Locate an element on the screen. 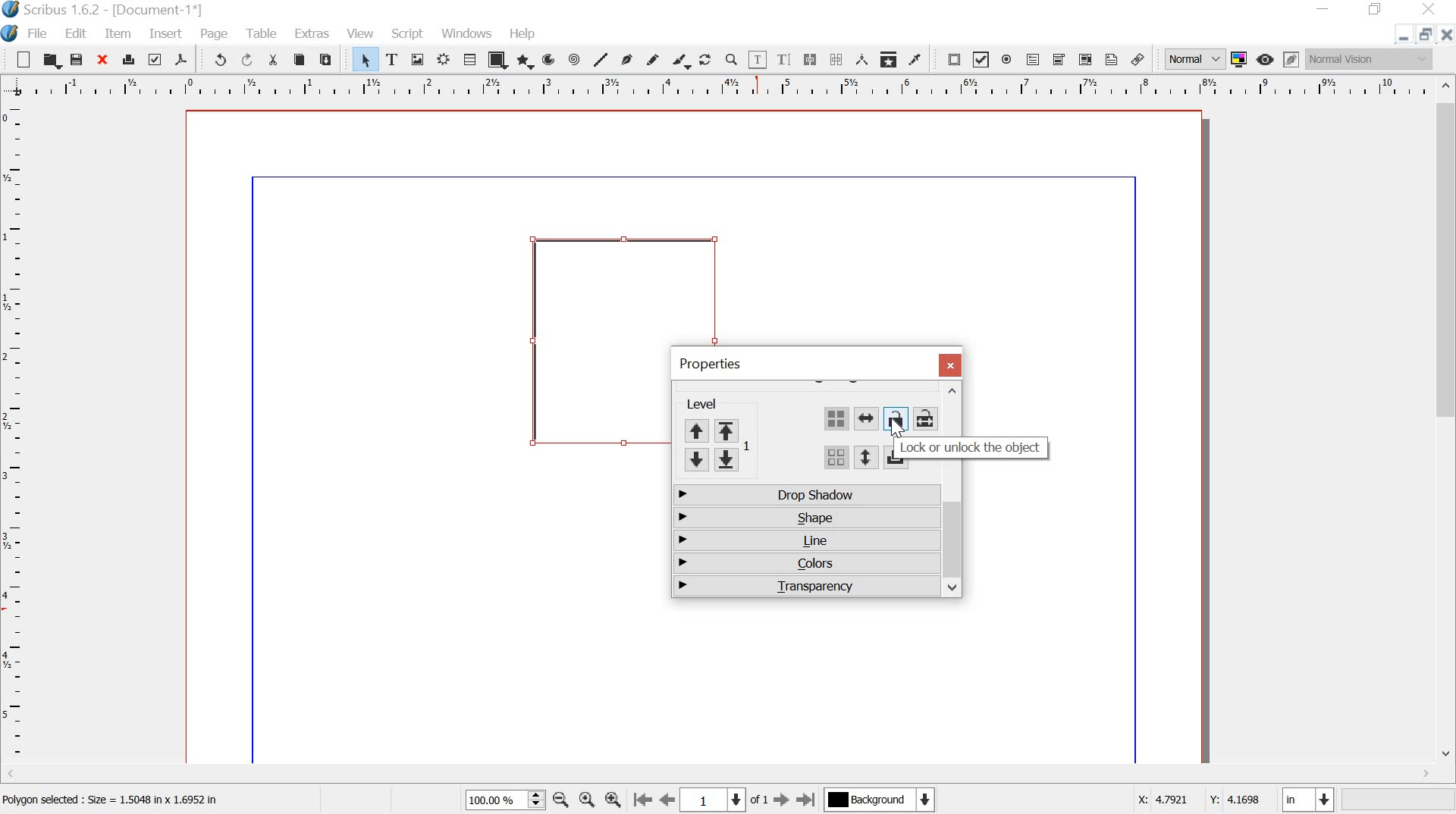 This screenshot has width=1456, height=814. calligraphic line is located at coordinates (682, 62).